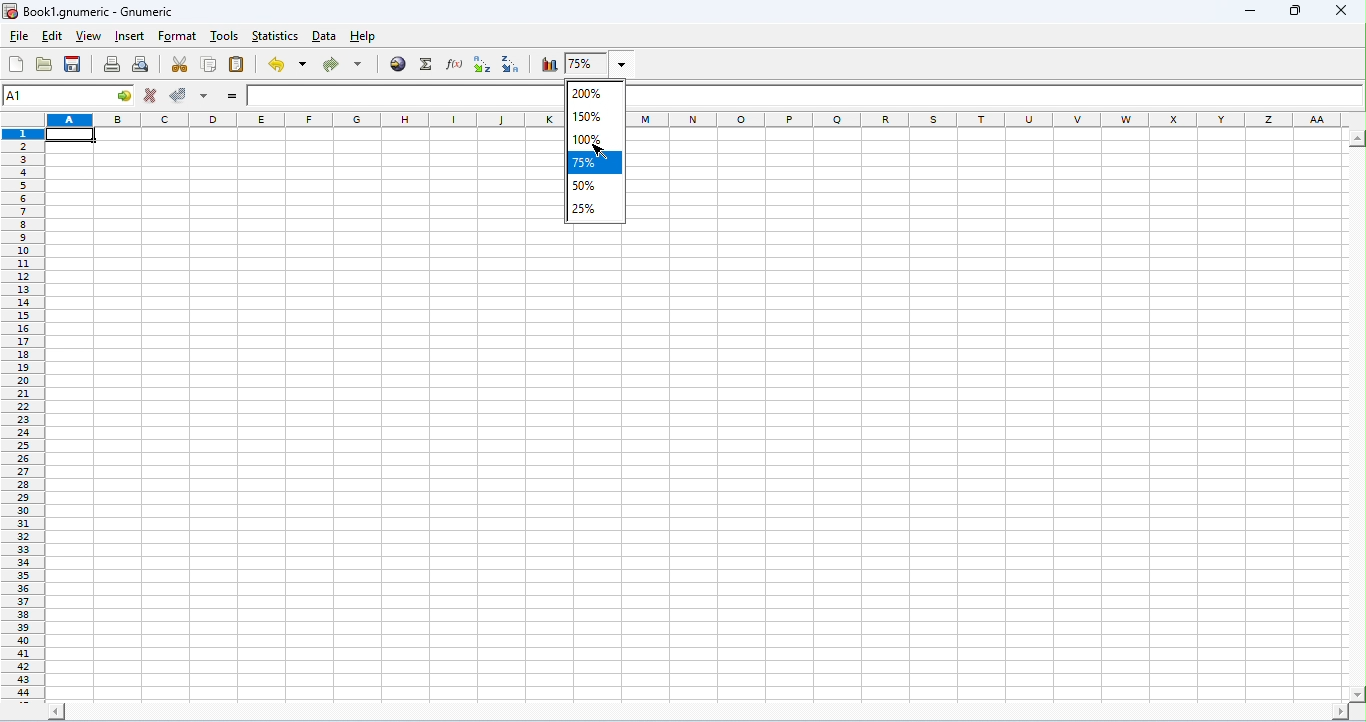  Describe the element at coordinates (363, 38) in the screenshot. I see `help` at that location.